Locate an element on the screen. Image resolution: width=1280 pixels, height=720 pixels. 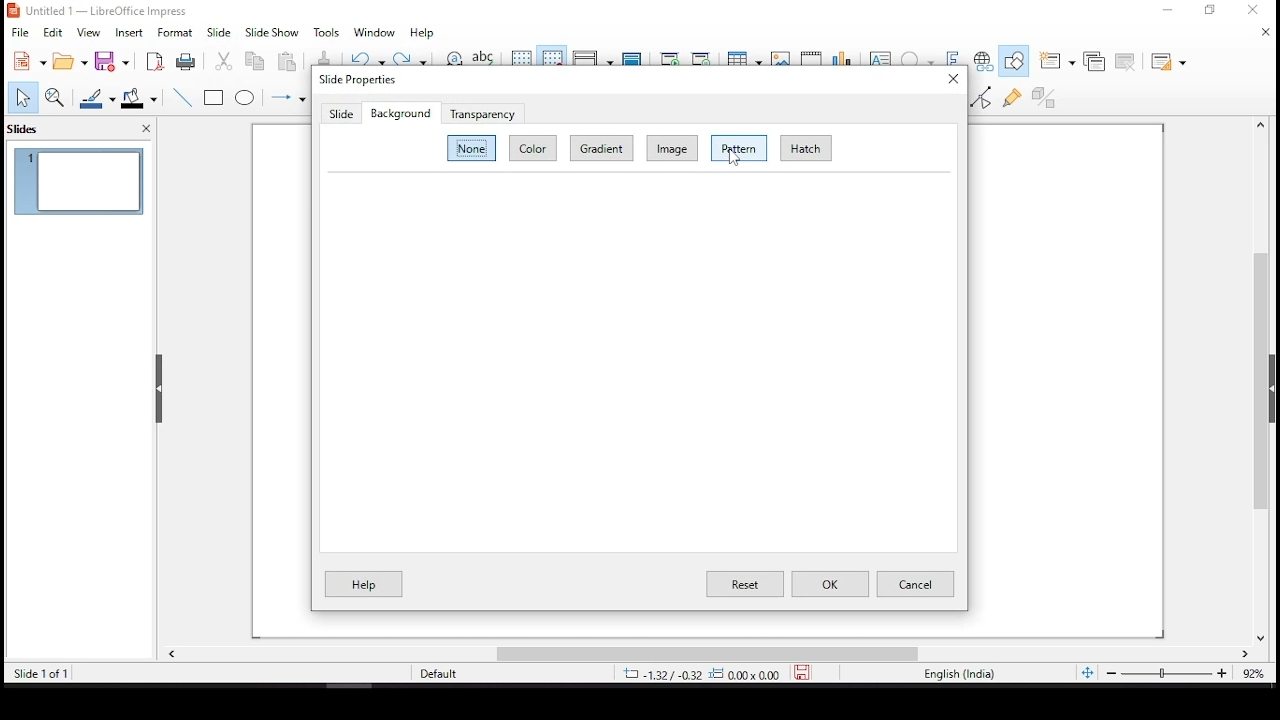
fit slide to current window is located at coordinates (1087, 672).